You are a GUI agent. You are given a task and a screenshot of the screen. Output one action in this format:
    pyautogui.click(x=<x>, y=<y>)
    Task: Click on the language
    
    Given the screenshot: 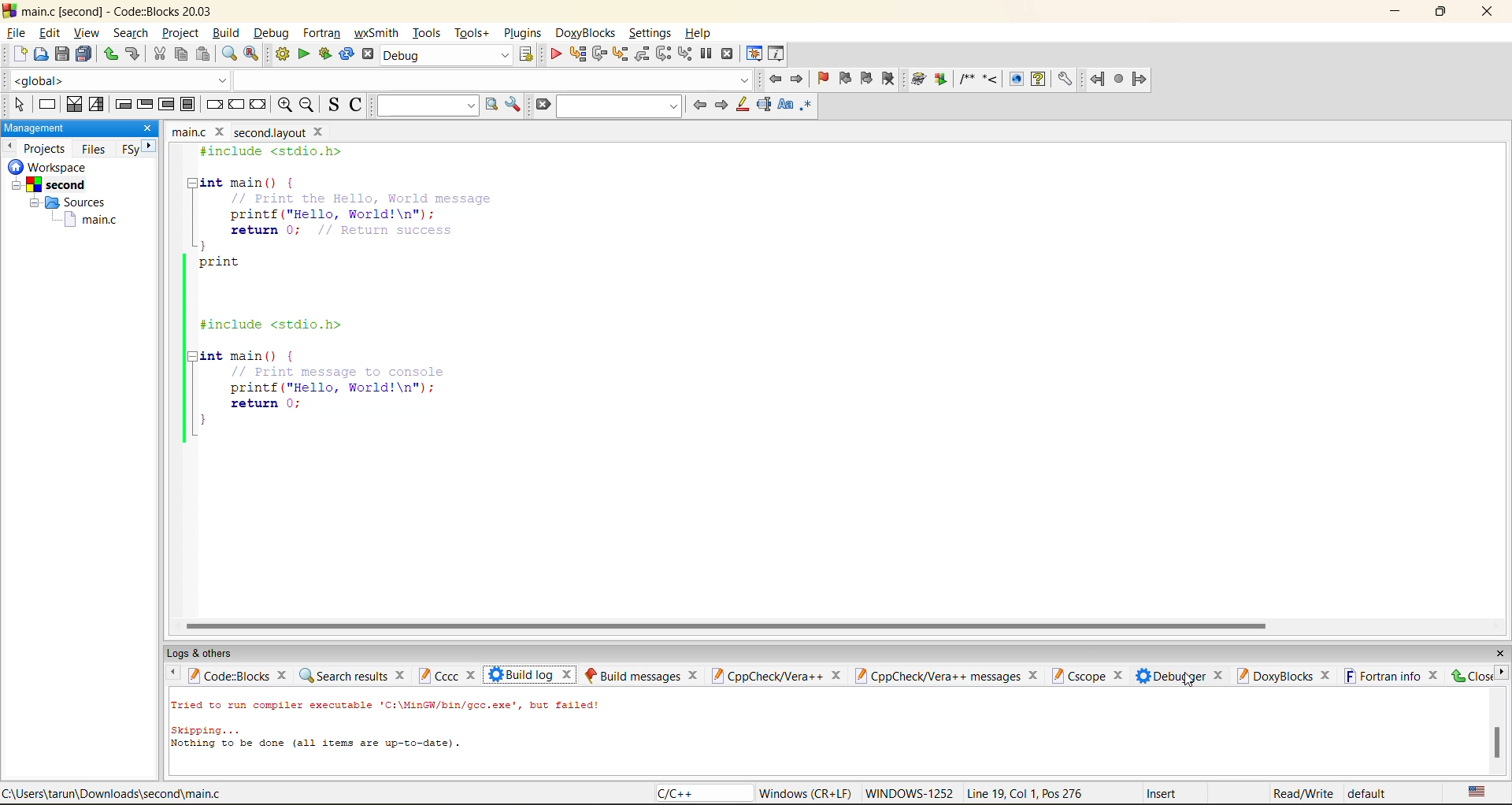 What is the action you would take?
    pyautogui.click(x=691, y=796)
    